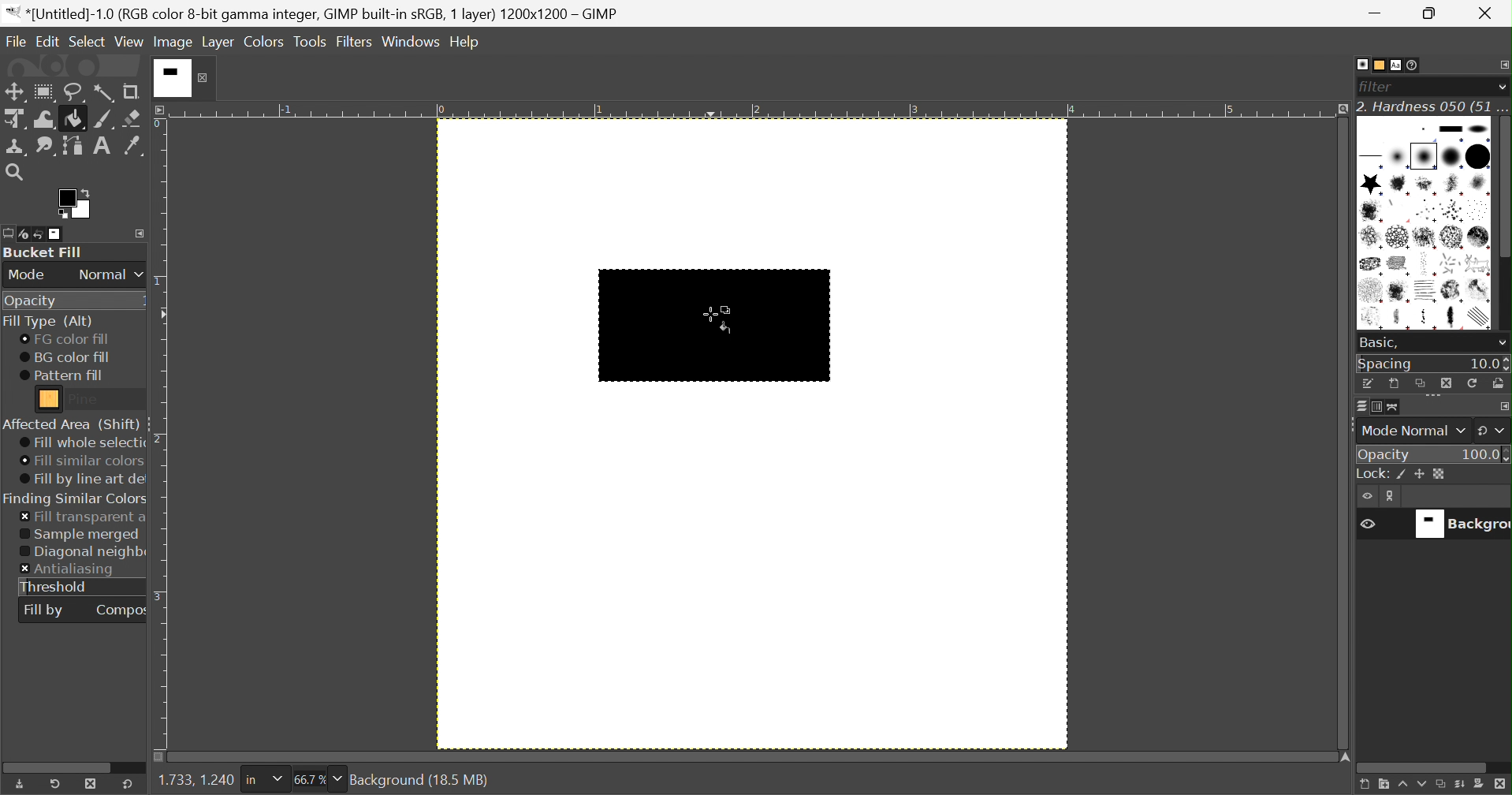  Describe the element at coordinates (64, 766) in the screenshot. I see `Scroll bar` at that location.